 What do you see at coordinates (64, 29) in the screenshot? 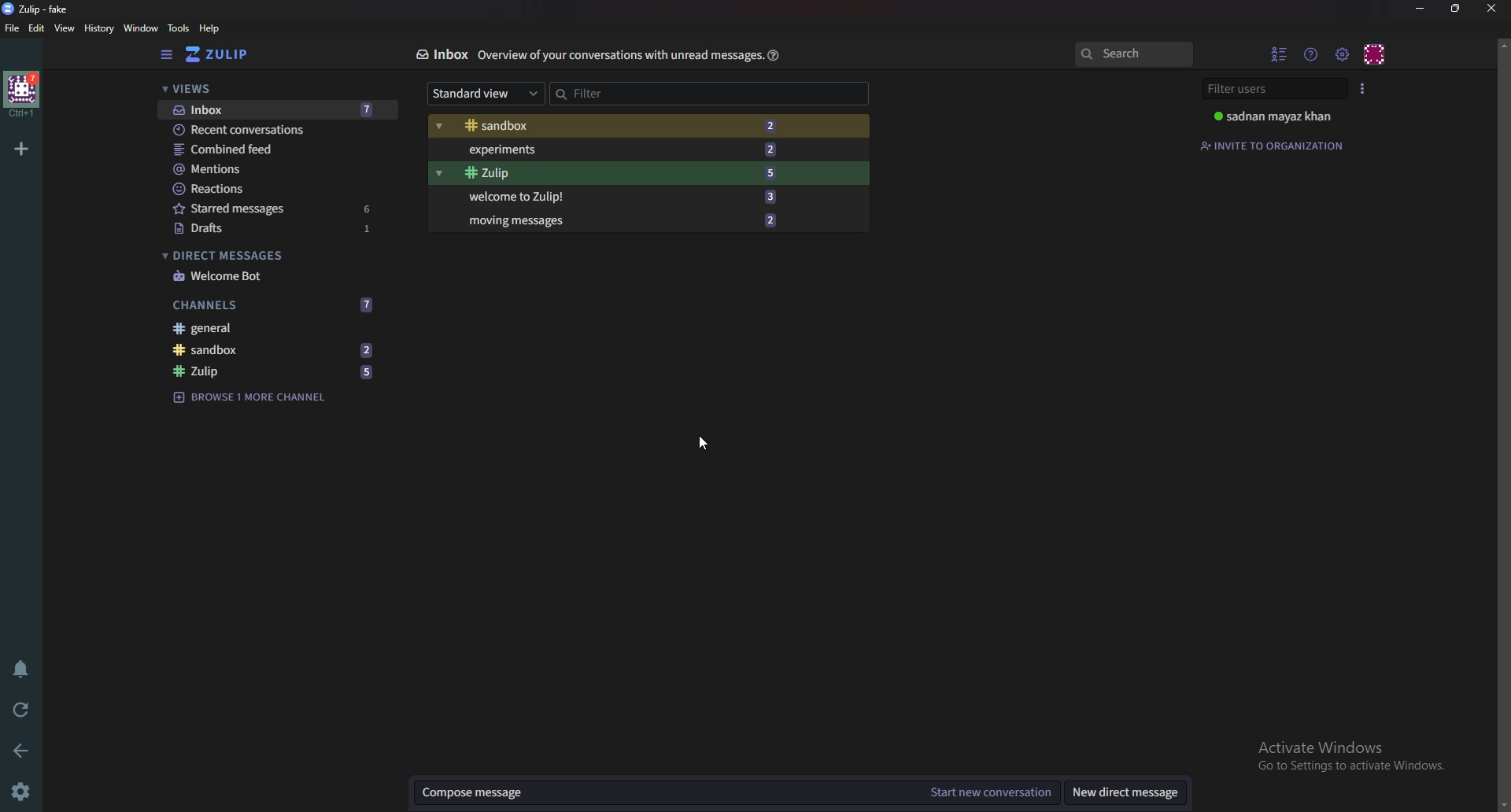
I see `View` at bounding box center [64, 29].